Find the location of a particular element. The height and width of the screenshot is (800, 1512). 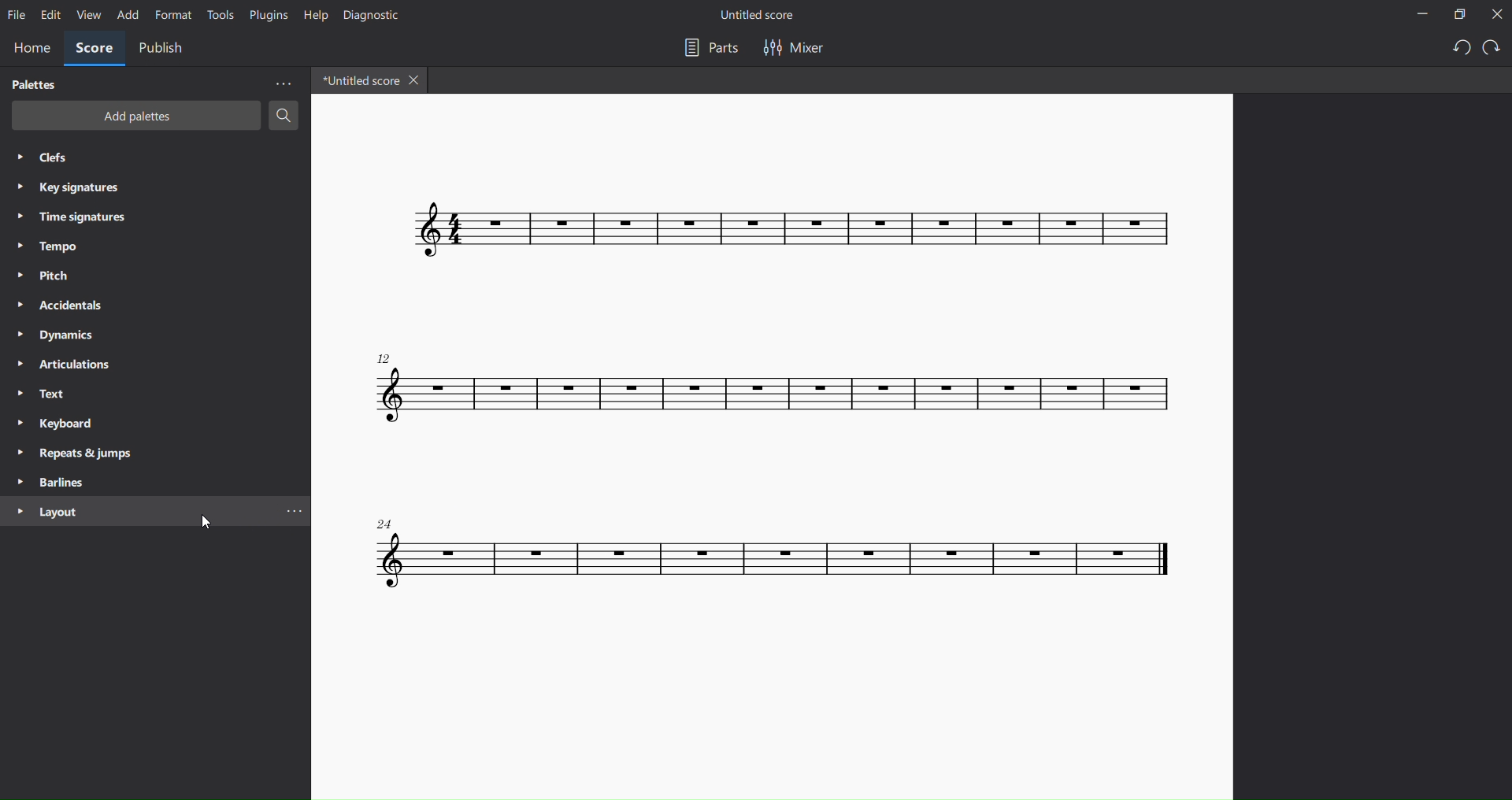

restore is located at coordinates (1456, 14).